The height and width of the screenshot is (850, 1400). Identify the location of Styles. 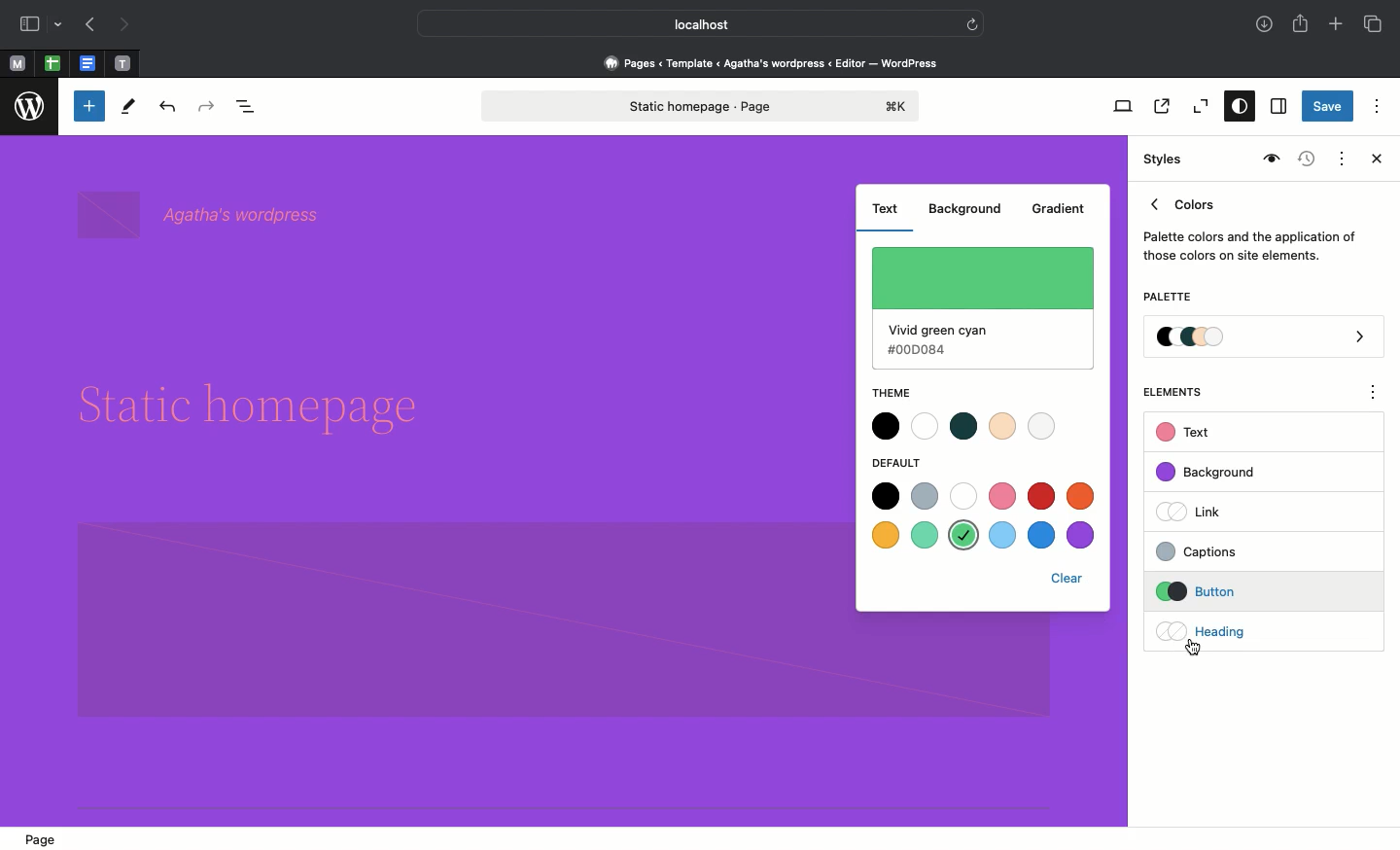
(1235, 108).